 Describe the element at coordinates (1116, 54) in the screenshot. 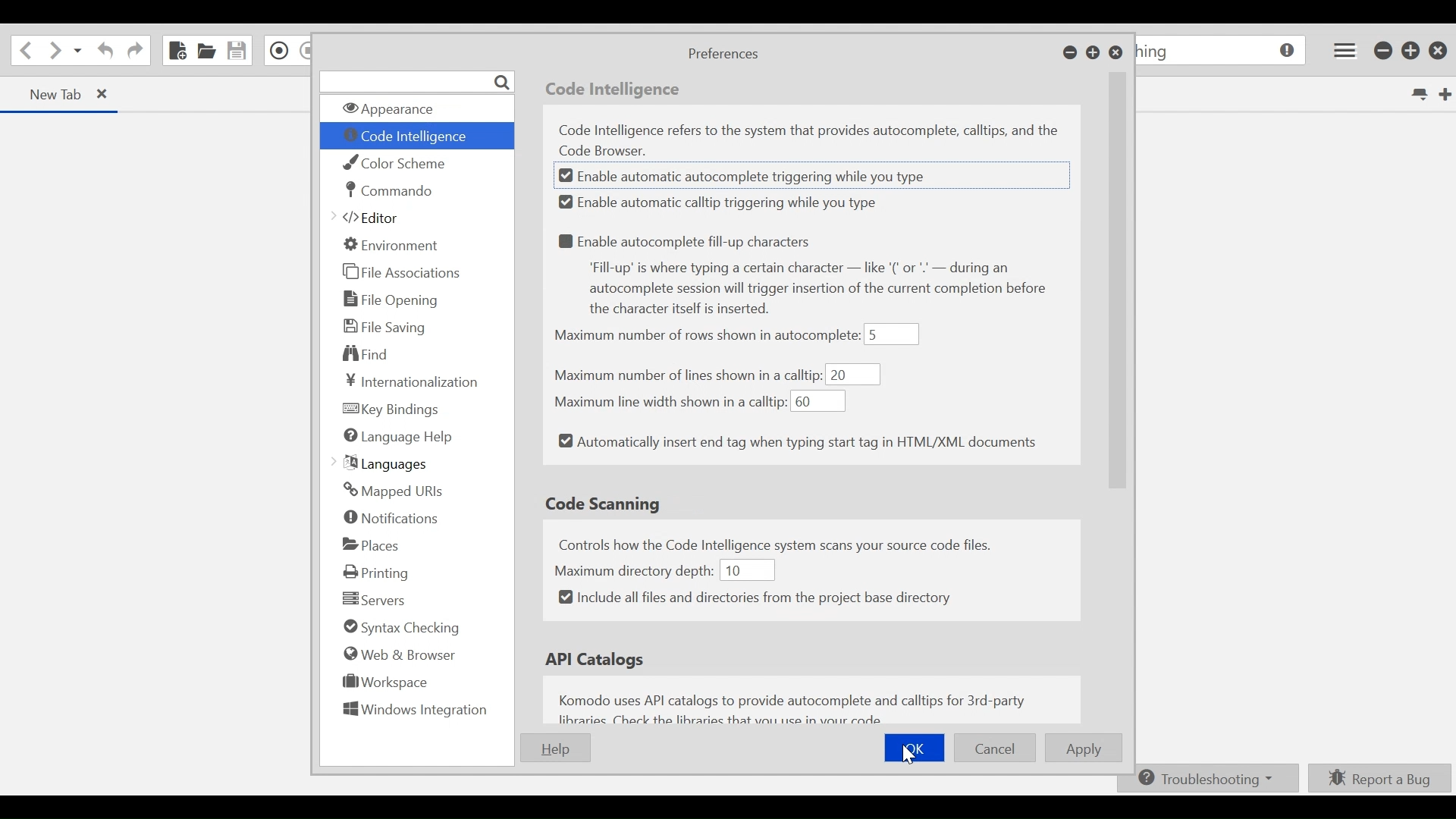

I see `Close` at that location.